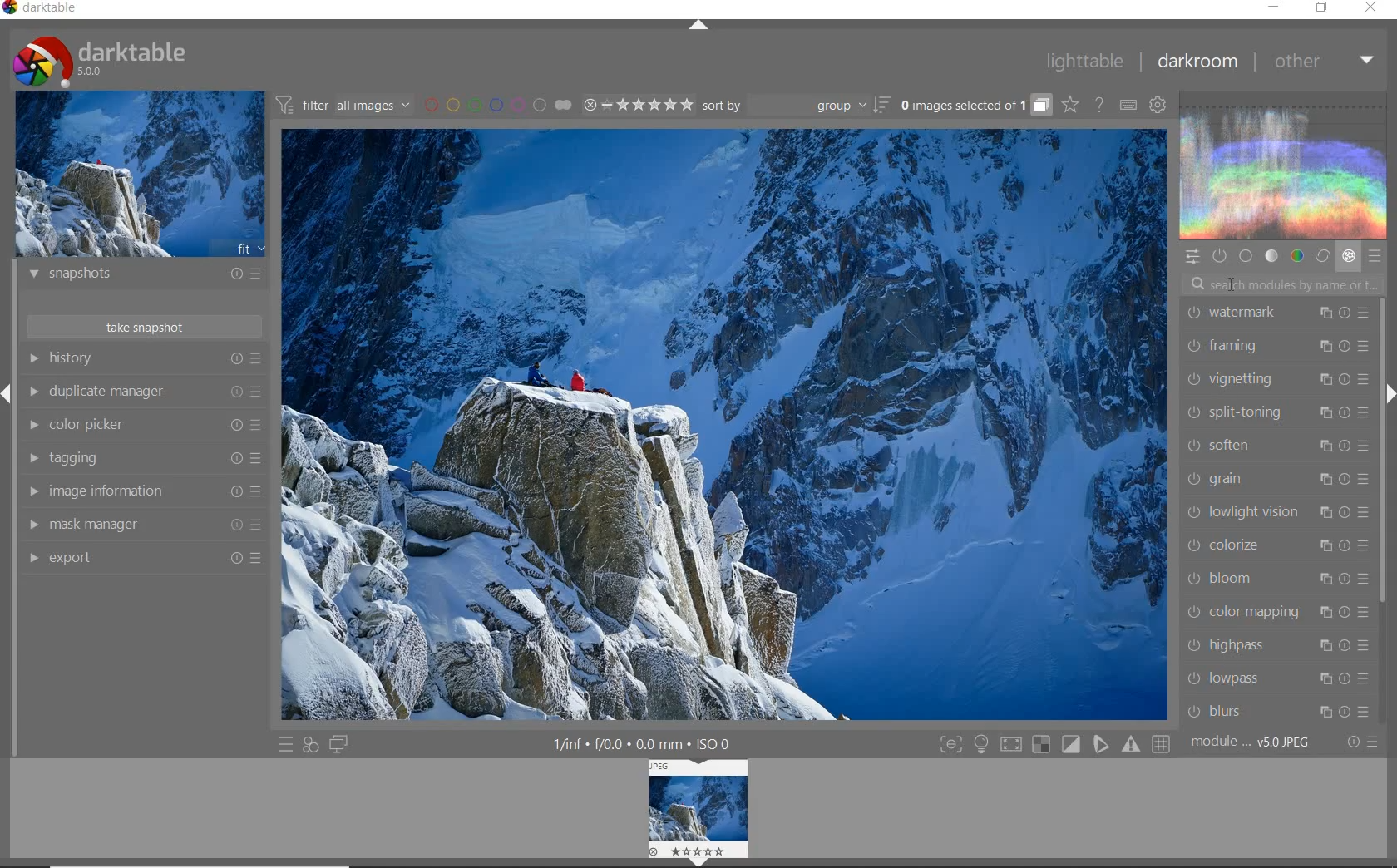 Image resolution: width=1397 pixels, height=868 pixels. I want to click on color mapping, so click(1276, 613).